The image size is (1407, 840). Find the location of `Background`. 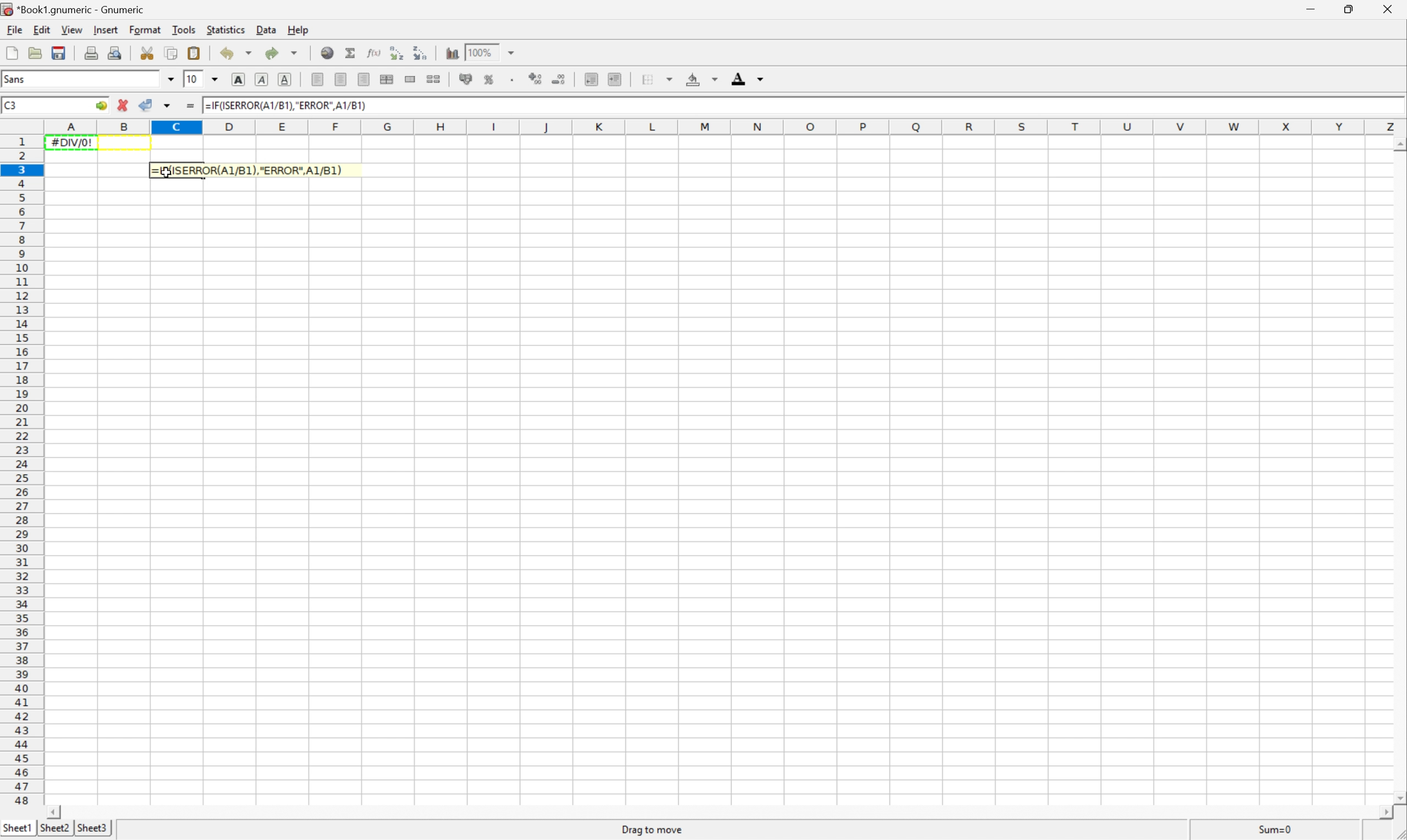

Background is located at coordinates (695, 80).